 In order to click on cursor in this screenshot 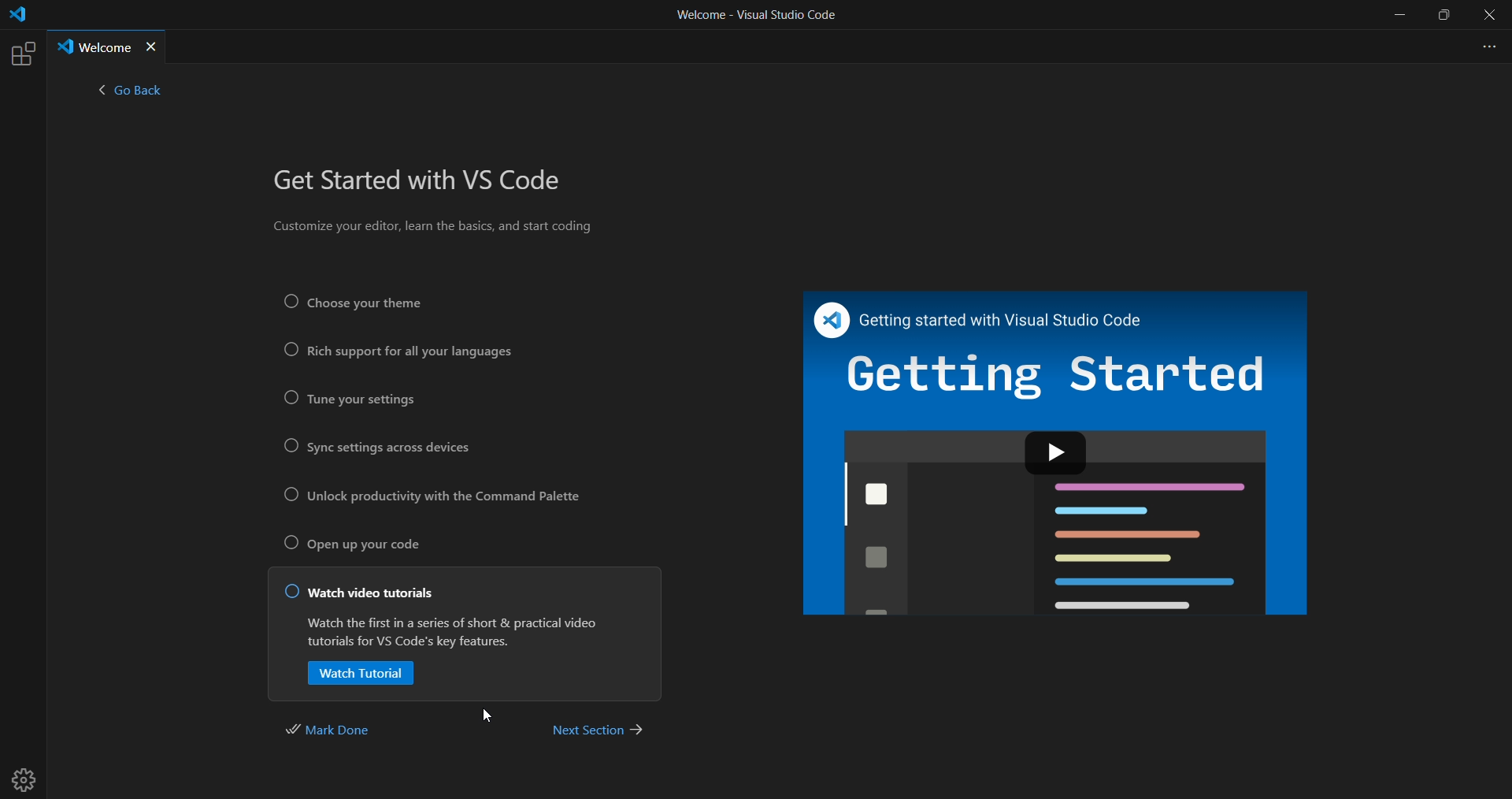, I will do `click(491, 719)`.